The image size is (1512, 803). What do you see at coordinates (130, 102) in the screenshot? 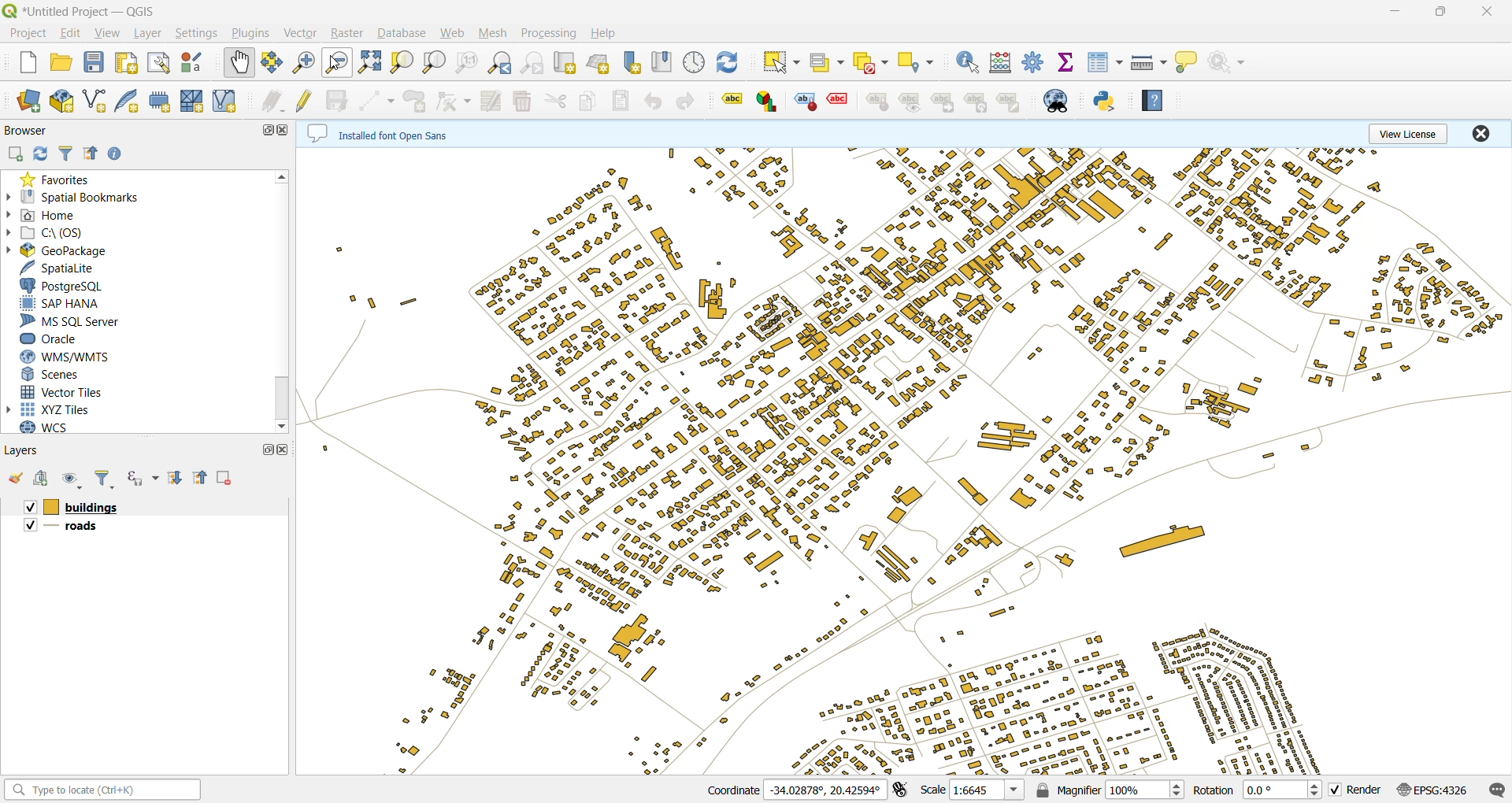
I see `new spatialite layer` at bounding box center [130, 102].